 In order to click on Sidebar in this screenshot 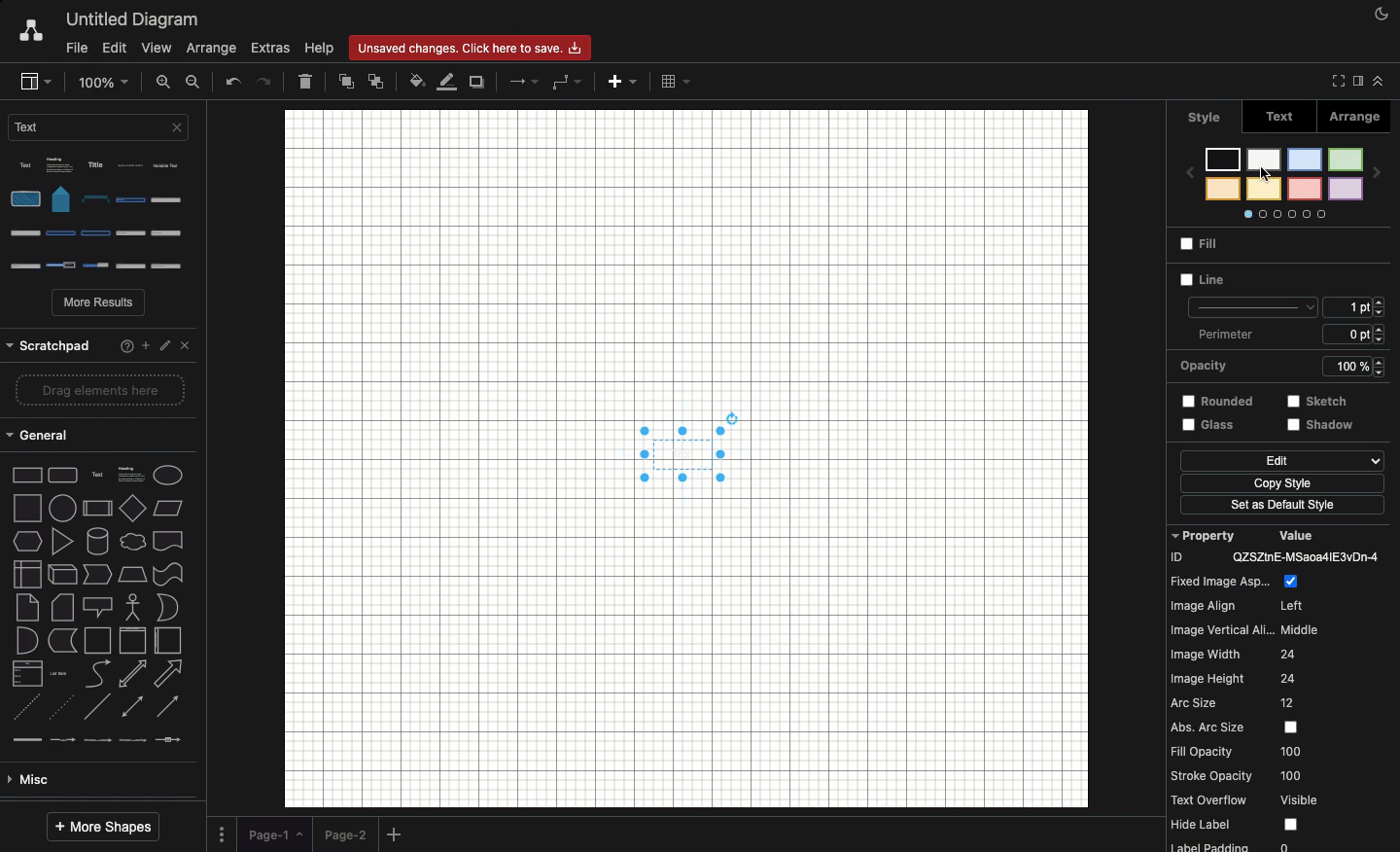, I will do `click(1355, 82)`.